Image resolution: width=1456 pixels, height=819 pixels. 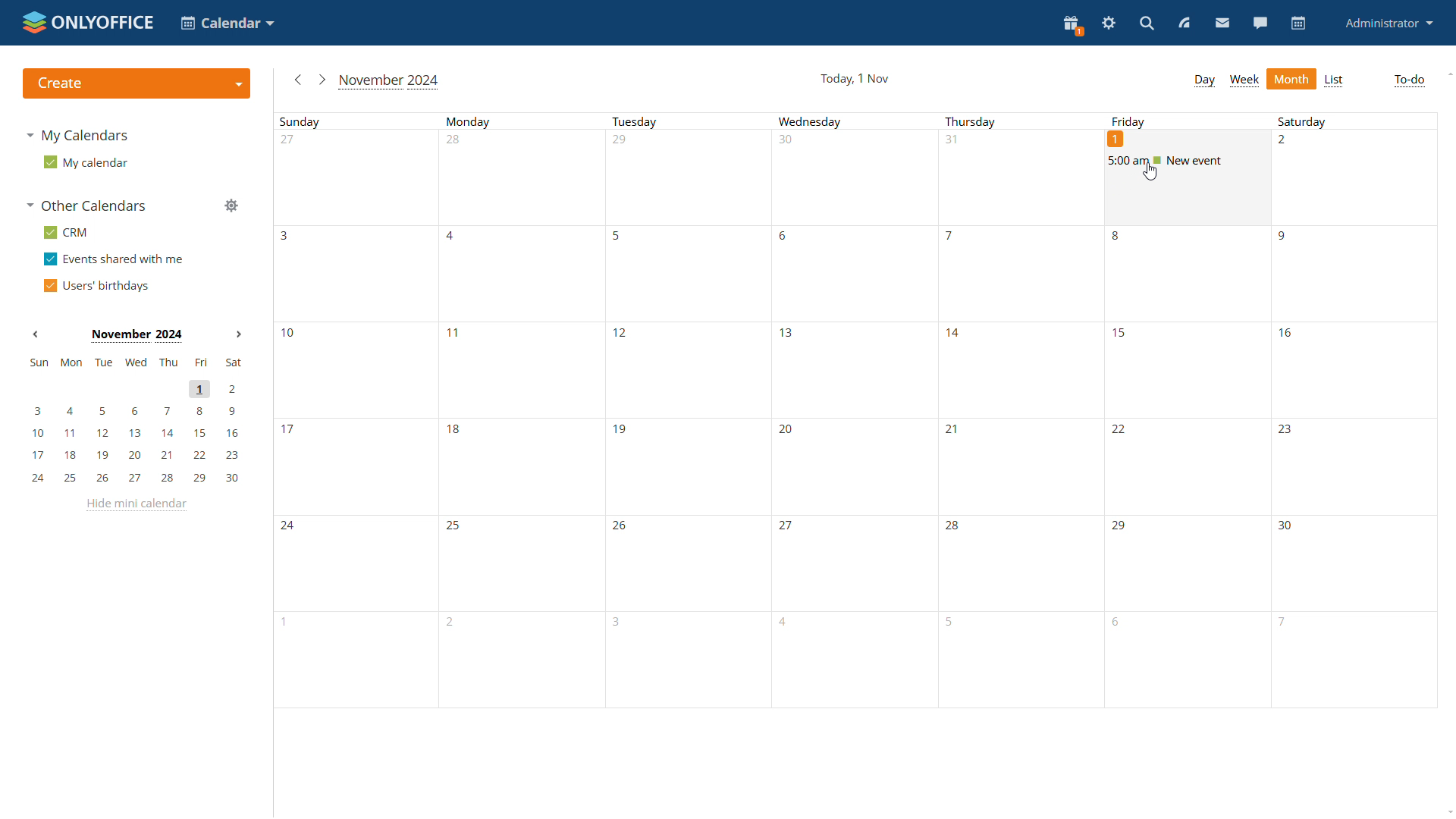 What do you see at coordinates (1146, 24) in the screenshot?
I see `search` at bounding box center [1146, 24].